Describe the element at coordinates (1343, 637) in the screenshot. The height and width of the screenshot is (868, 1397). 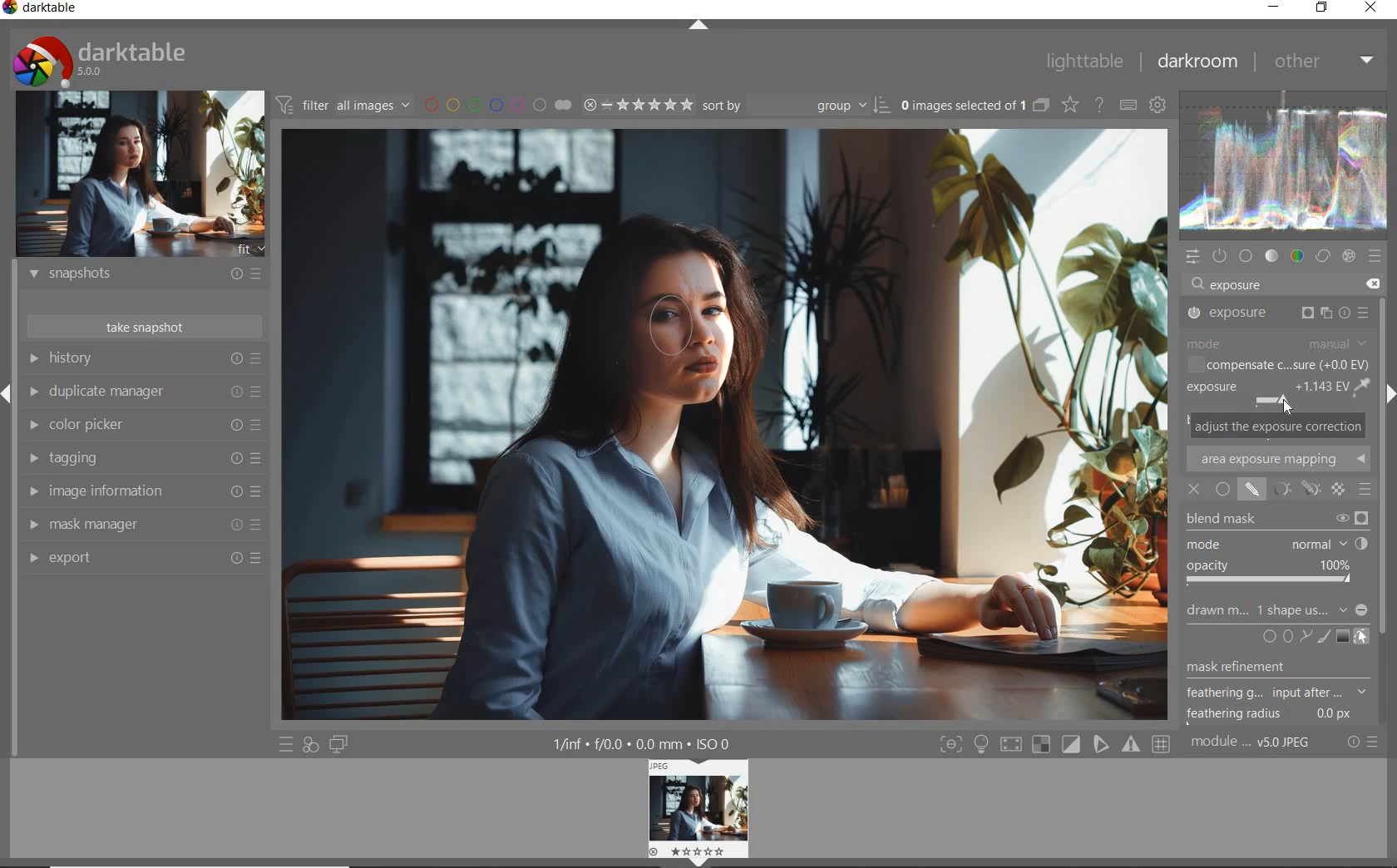
I see `ADD GRADIENT` at that location.